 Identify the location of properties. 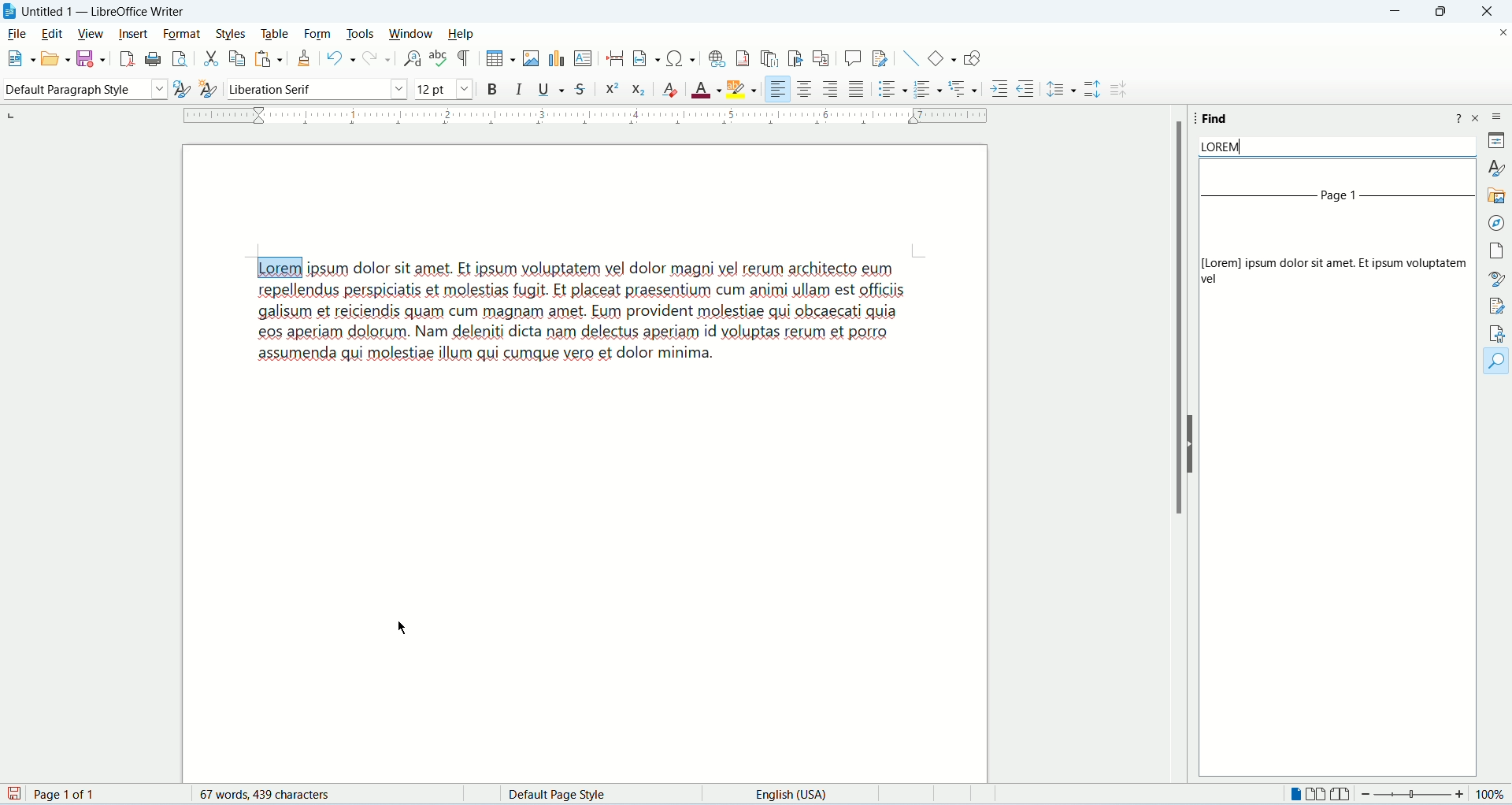
(1496, 142).